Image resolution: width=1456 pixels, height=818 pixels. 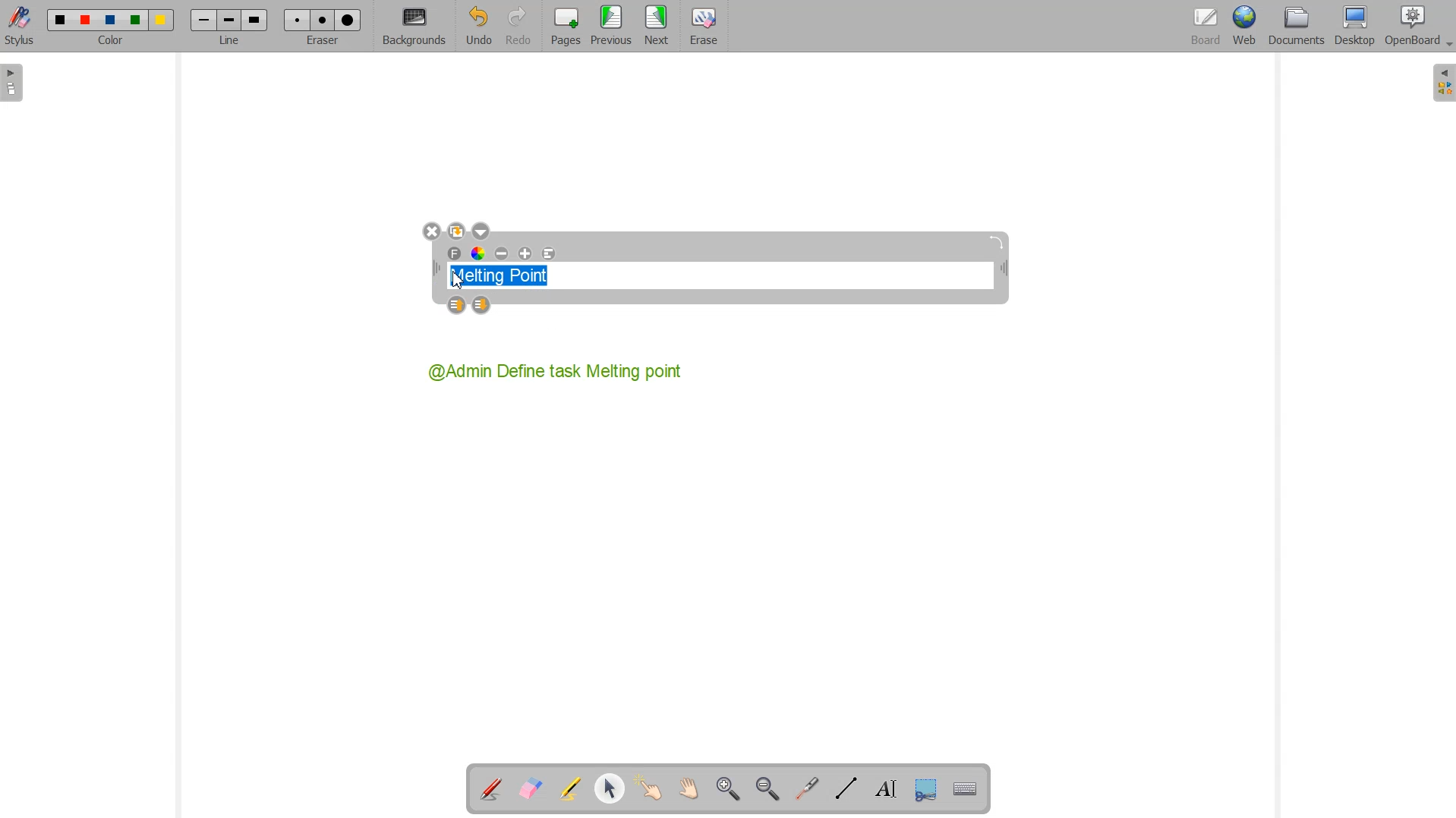 I want to click on Angle adjustment, so click(x=998, y=242).